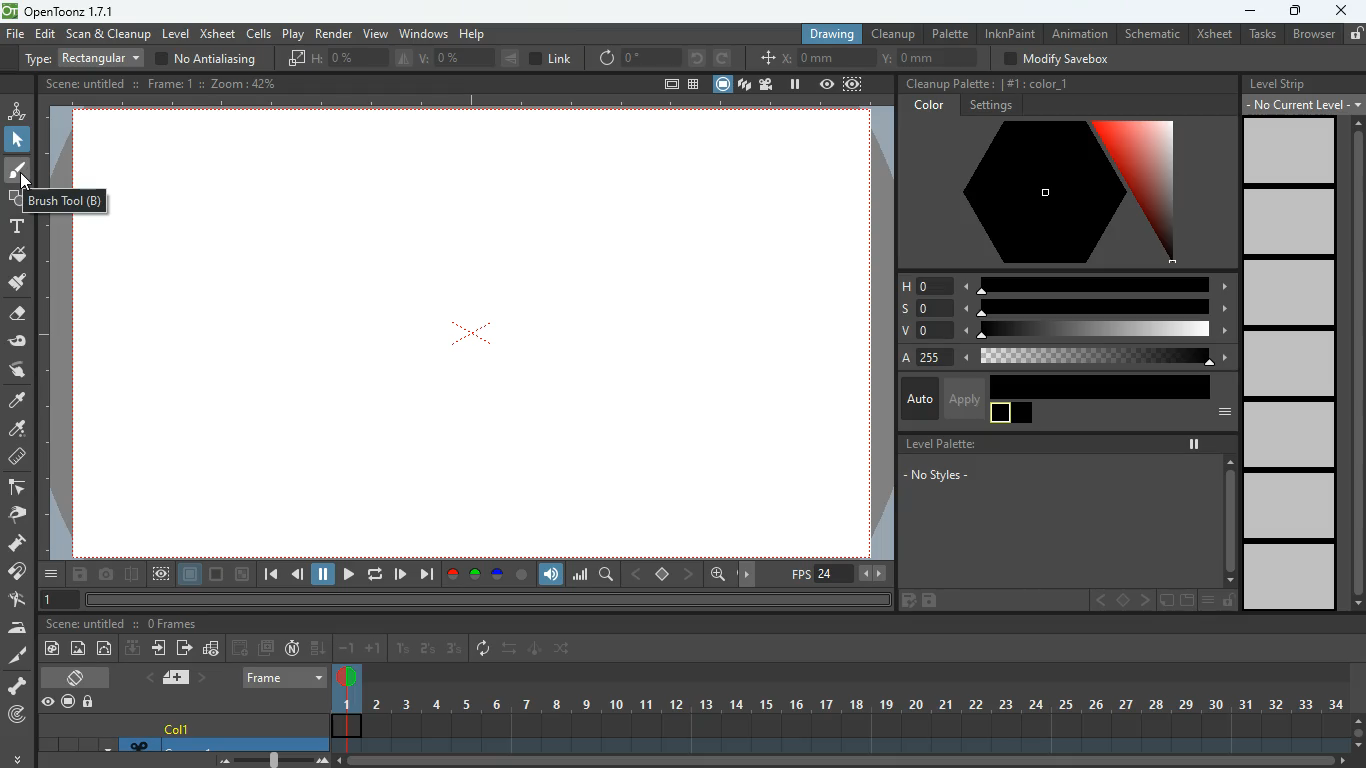 This screenshot has width=1366, height=768. What do you see at coordinates (668, 86) in the screenshot?
I see `document` at bounding box center [668, 86].